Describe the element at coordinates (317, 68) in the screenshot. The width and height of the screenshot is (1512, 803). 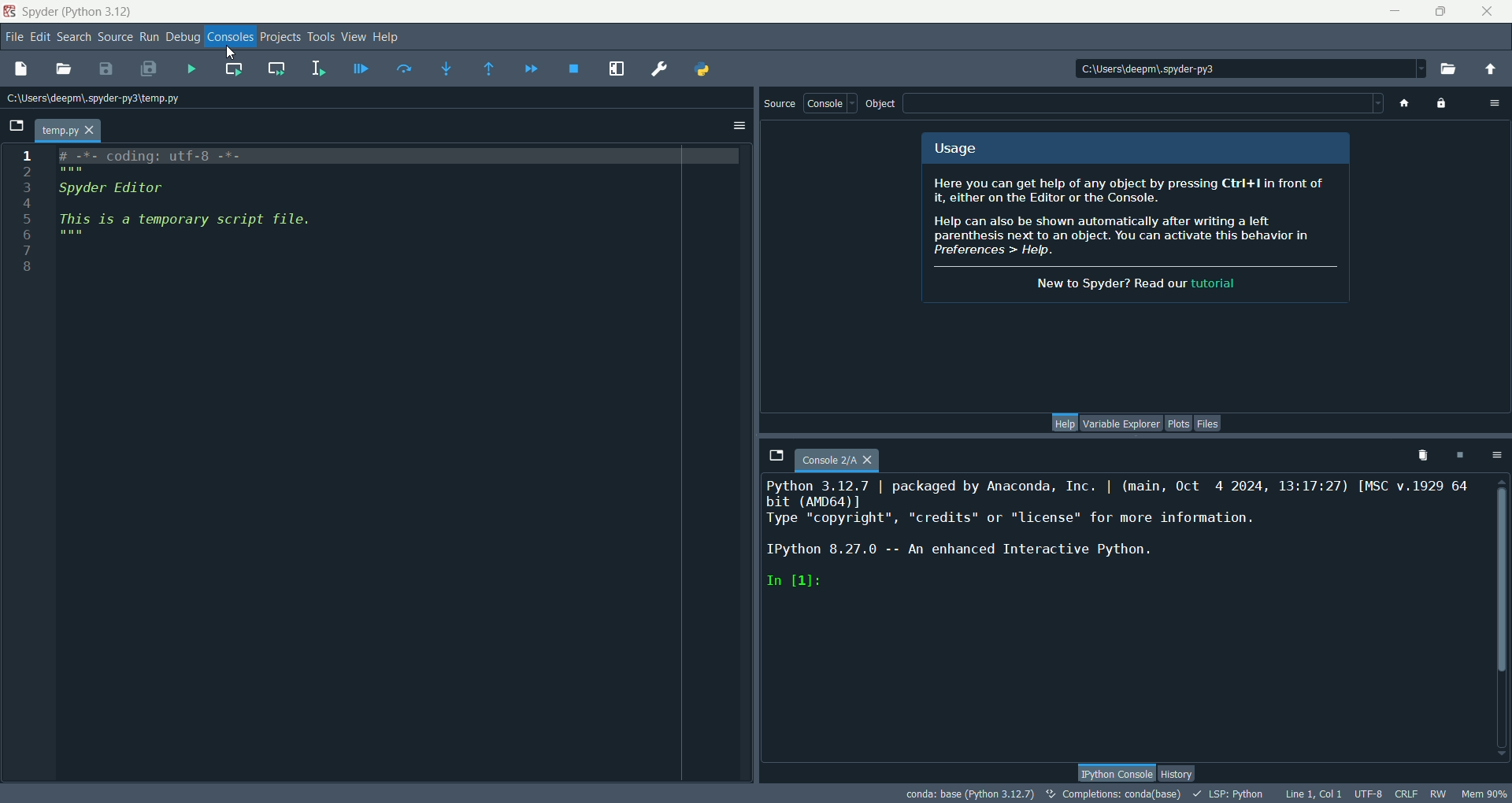
I see `run selection` at that location.